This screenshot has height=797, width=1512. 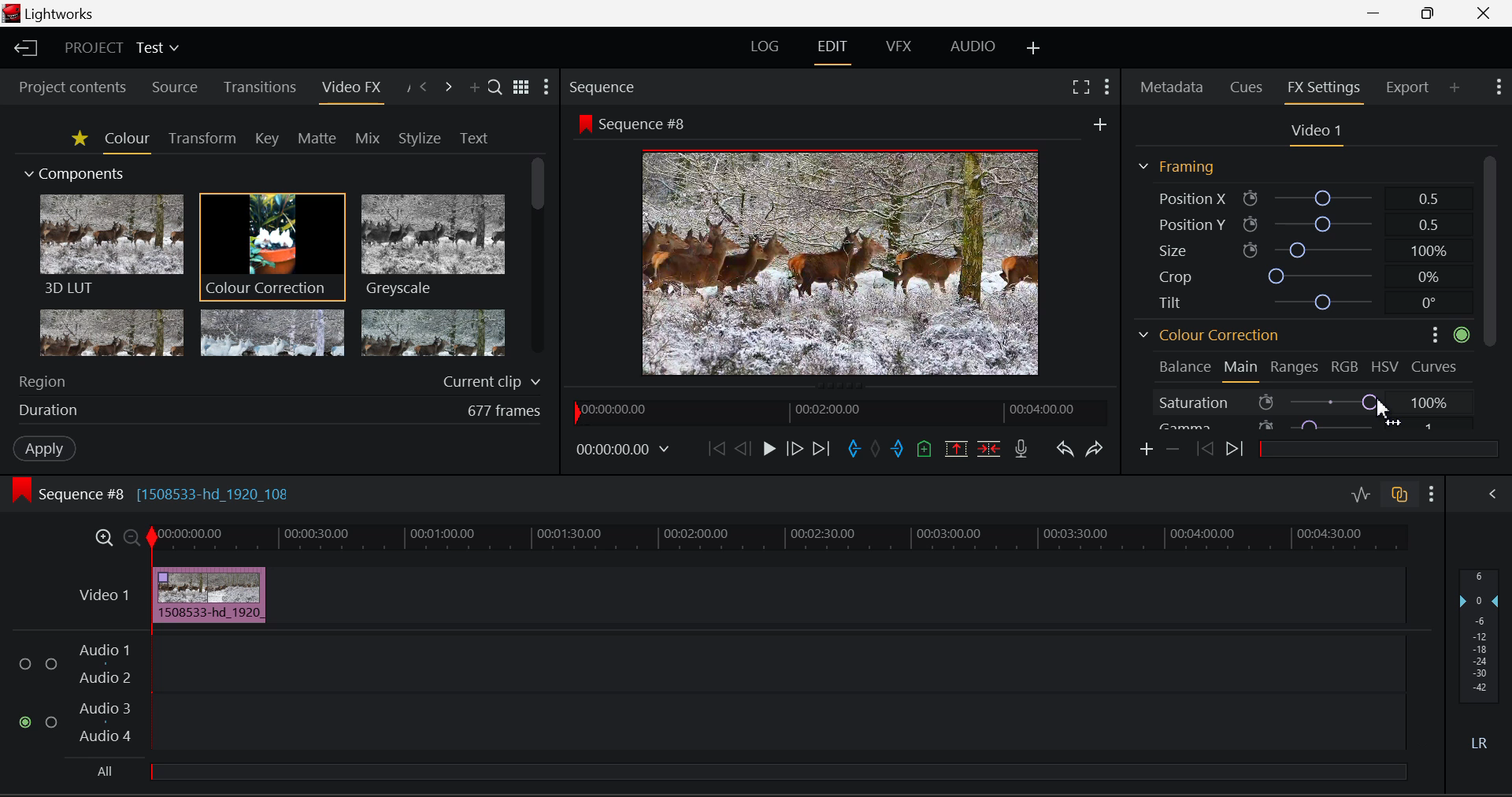 I want to click on Play, so click(x=767, y=450).